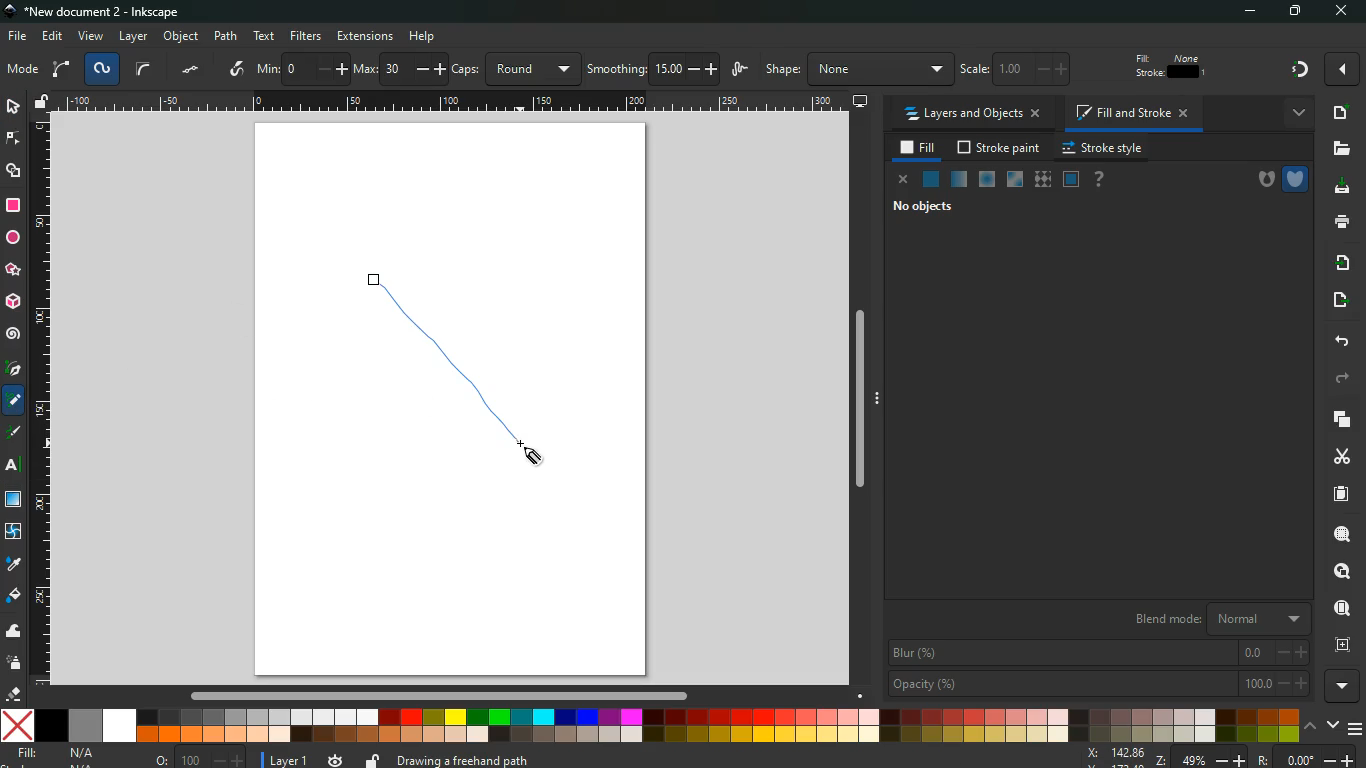 The image size is (1366, 768). What do you see at coordinates (13, 429) in the screenshot?
I see `description` at bounding box center [13, 429].